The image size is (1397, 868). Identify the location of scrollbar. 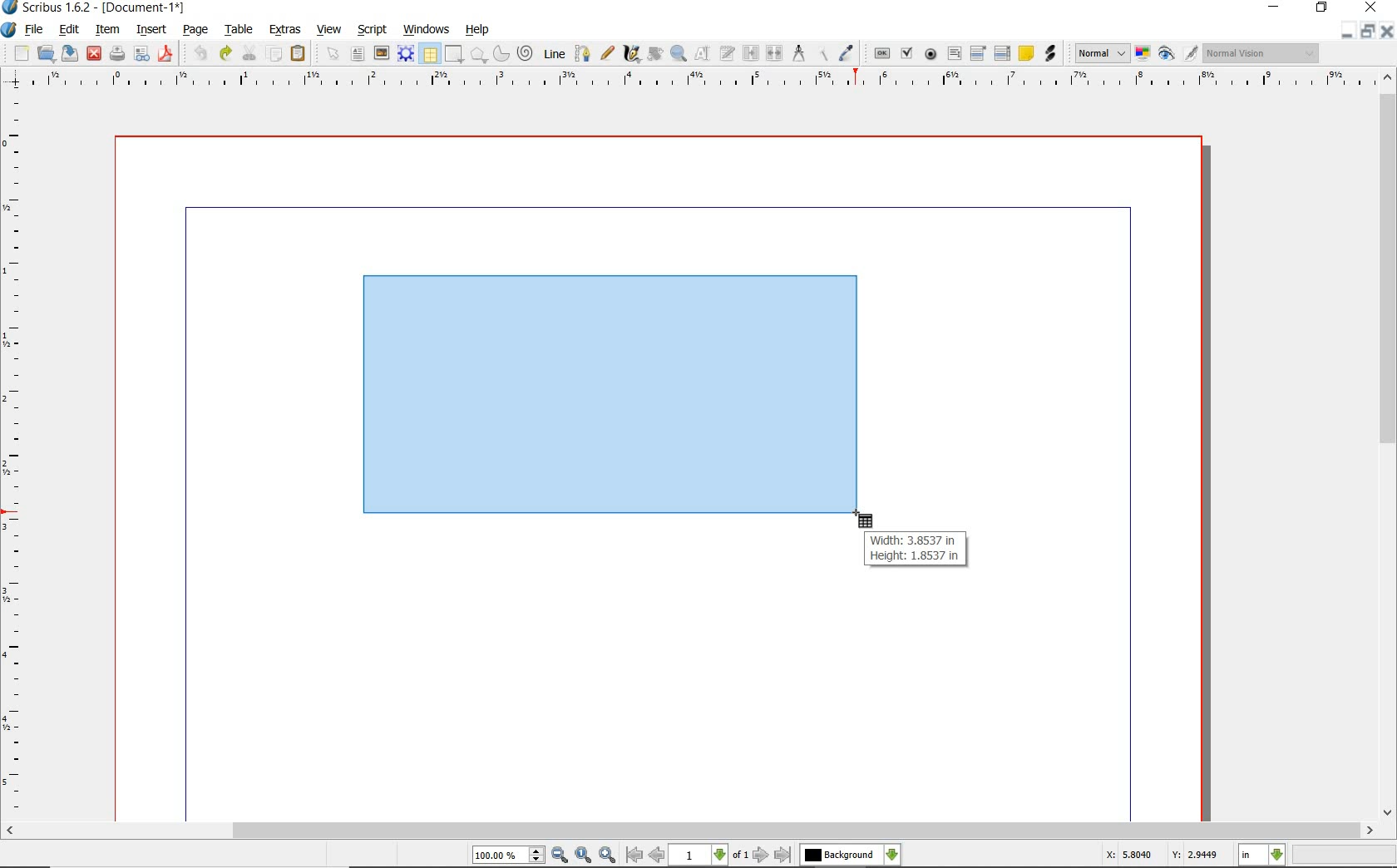
(1387, 446).